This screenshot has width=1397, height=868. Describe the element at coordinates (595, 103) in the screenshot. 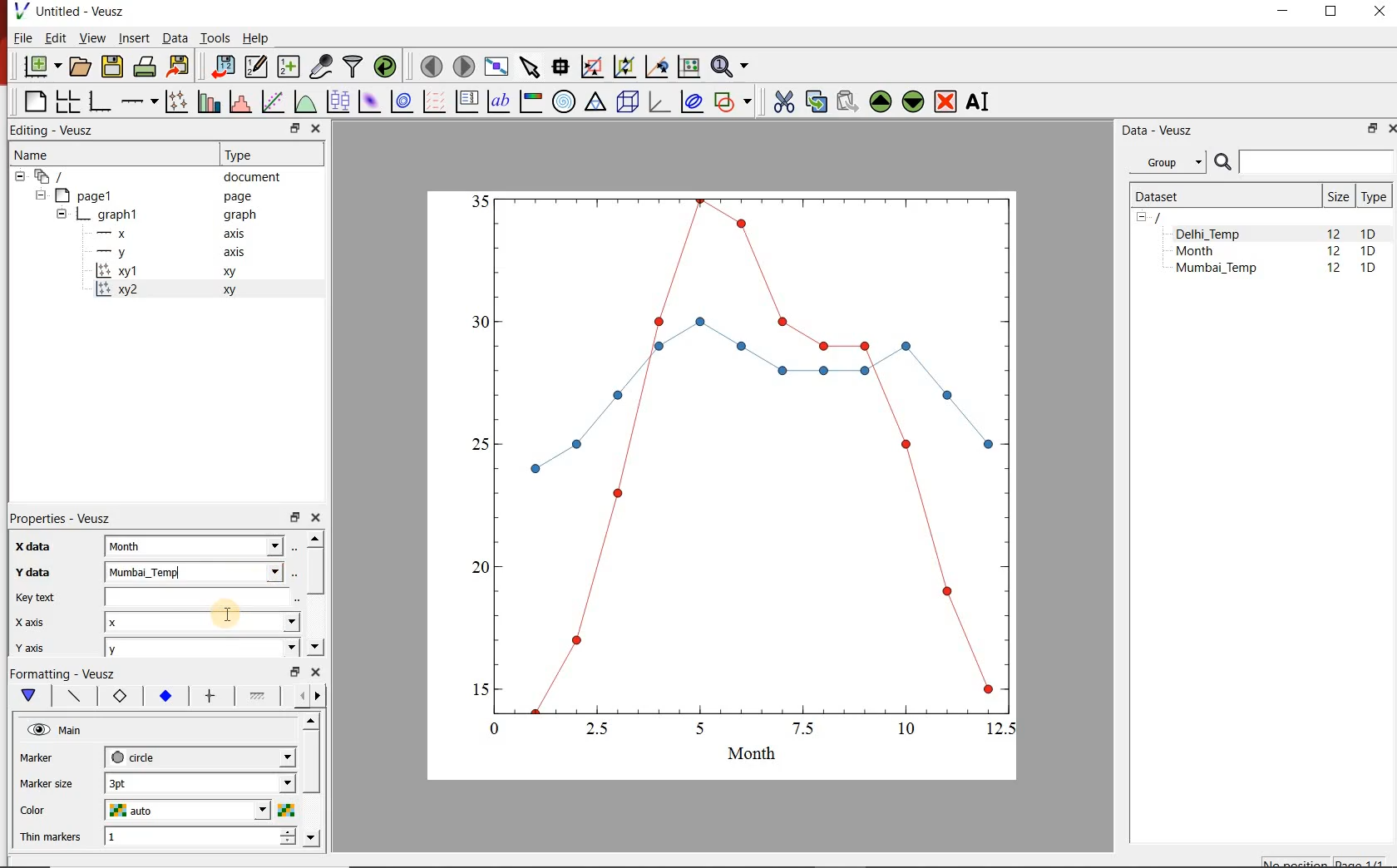

I see `Ternary graph` at that location.